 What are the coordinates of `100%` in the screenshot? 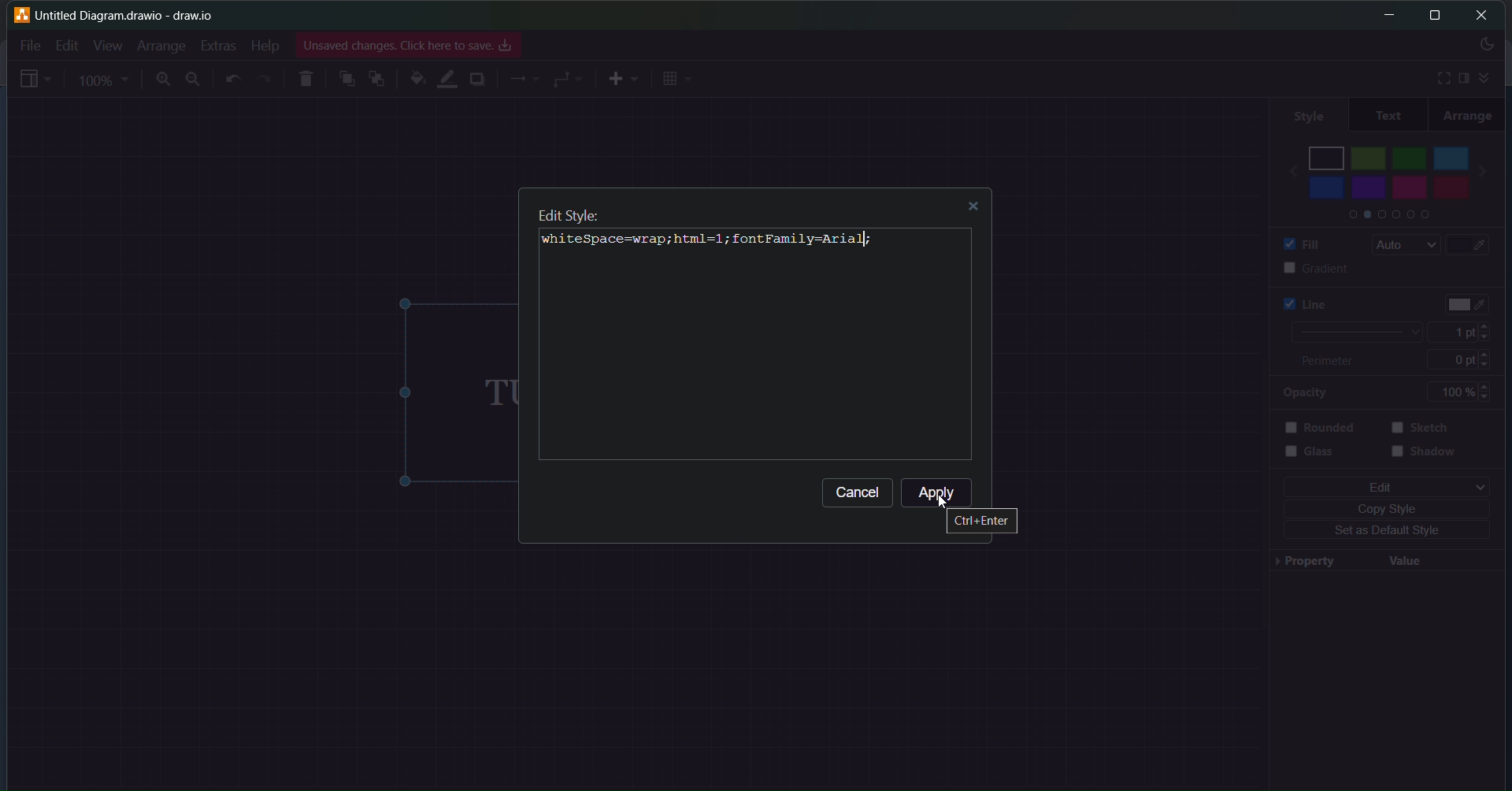 It's located at (1466, 392).